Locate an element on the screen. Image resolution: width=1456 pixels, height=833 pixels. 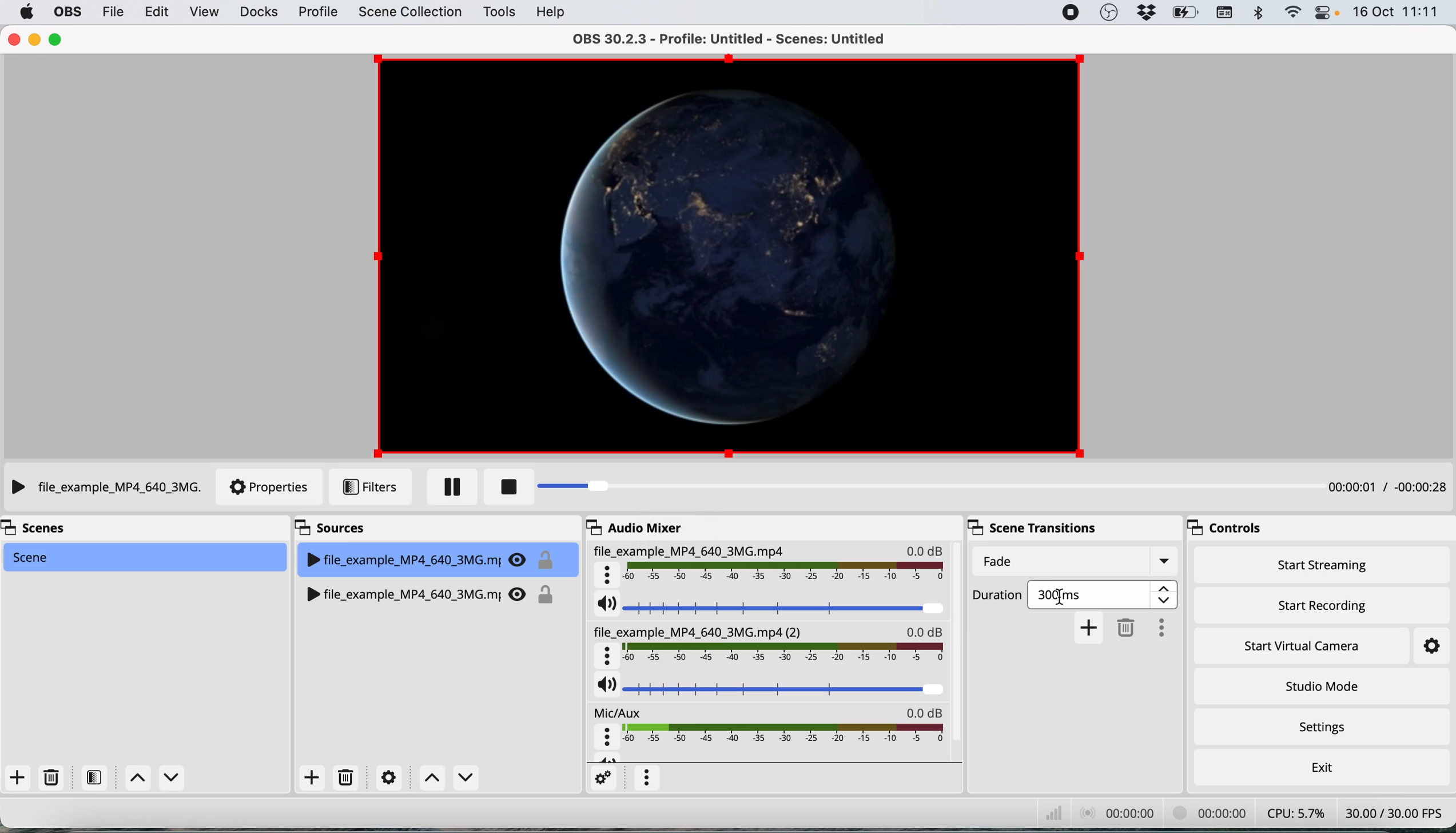
add scene is located at coordinates (18, 777).